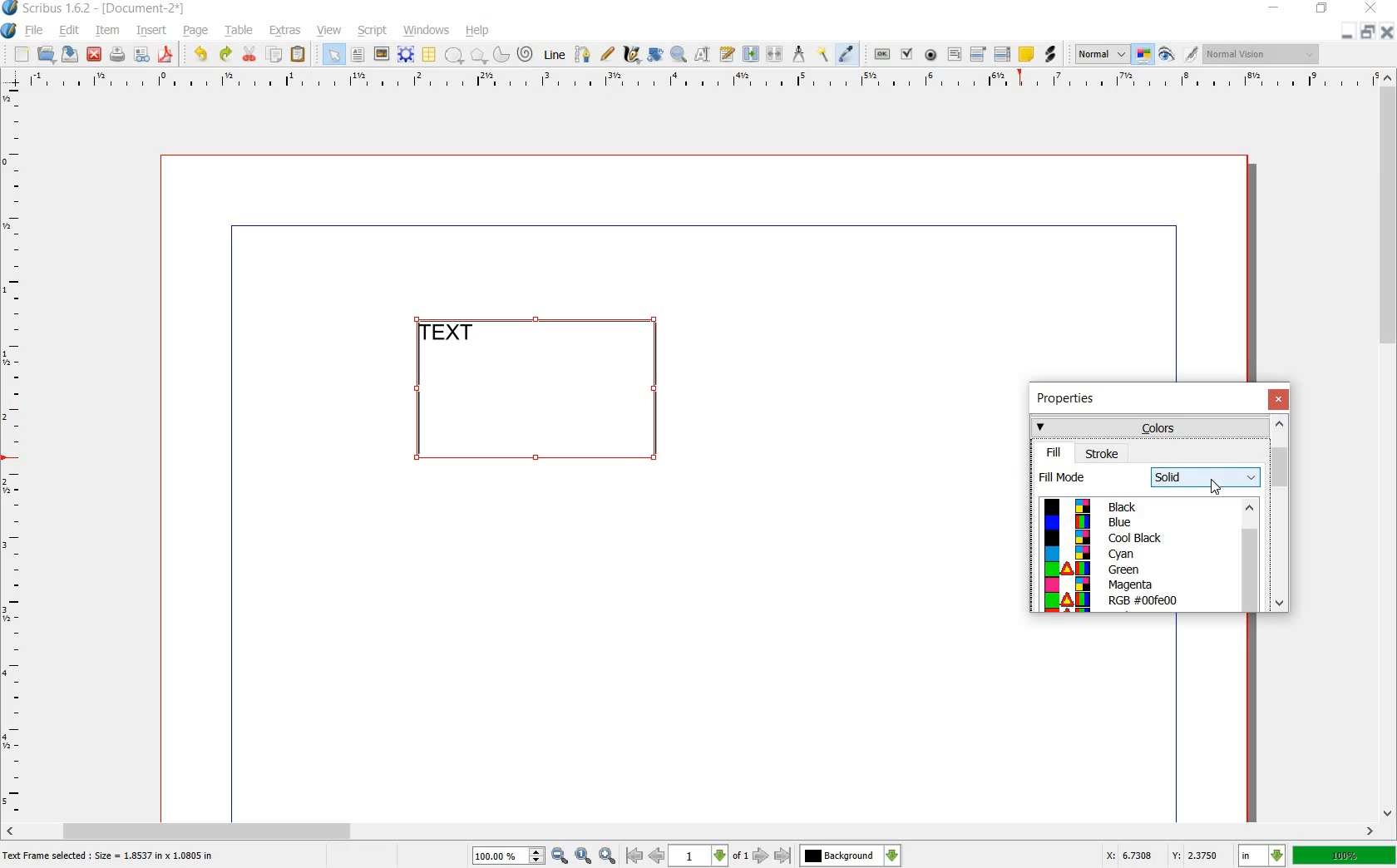  What do you see at coordinates (697, 856) in the screenshot?
I see `1` at bounding box center [697, 856].